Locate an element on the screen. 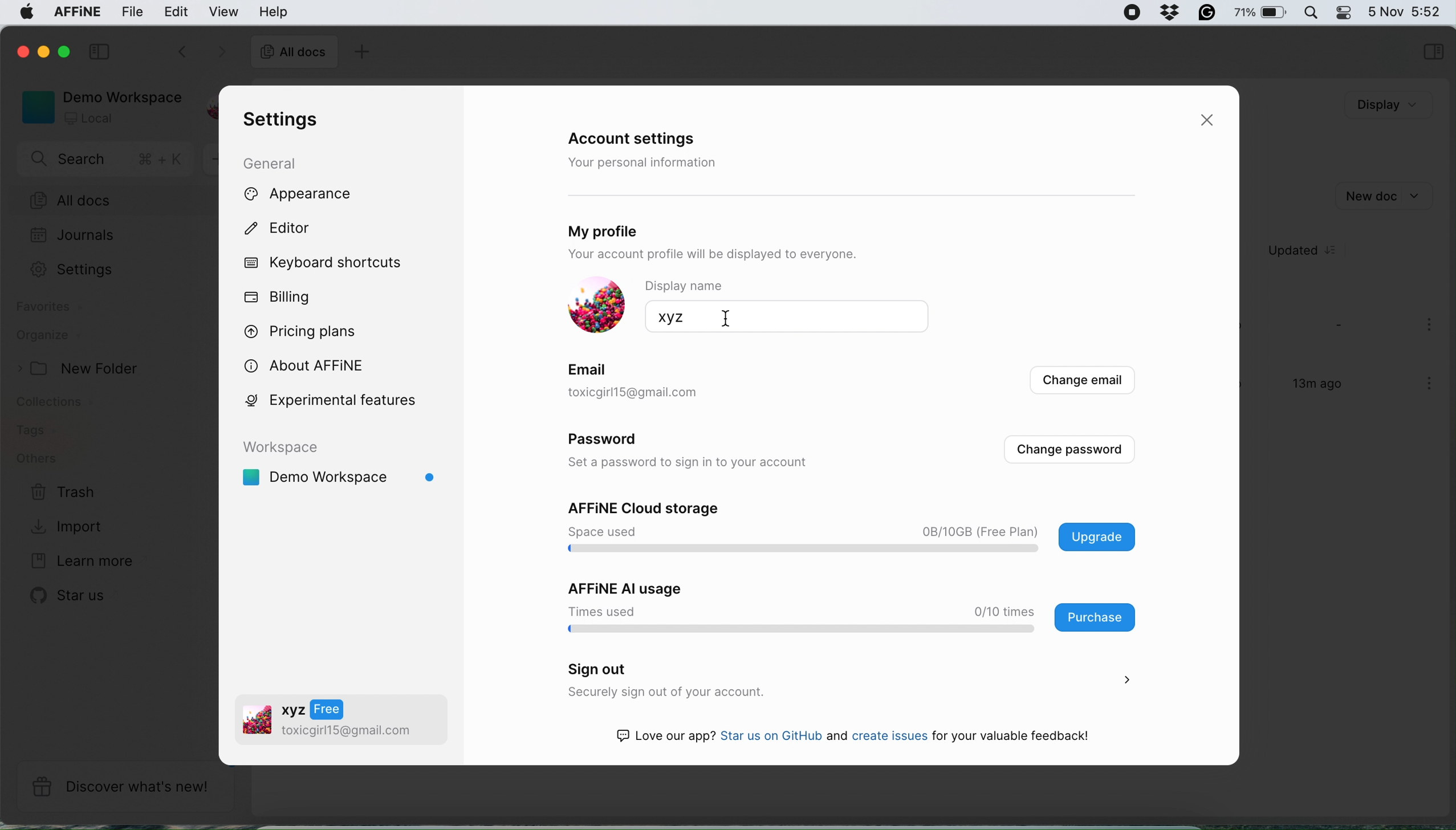  selections is located at coordinates (1433, 53).